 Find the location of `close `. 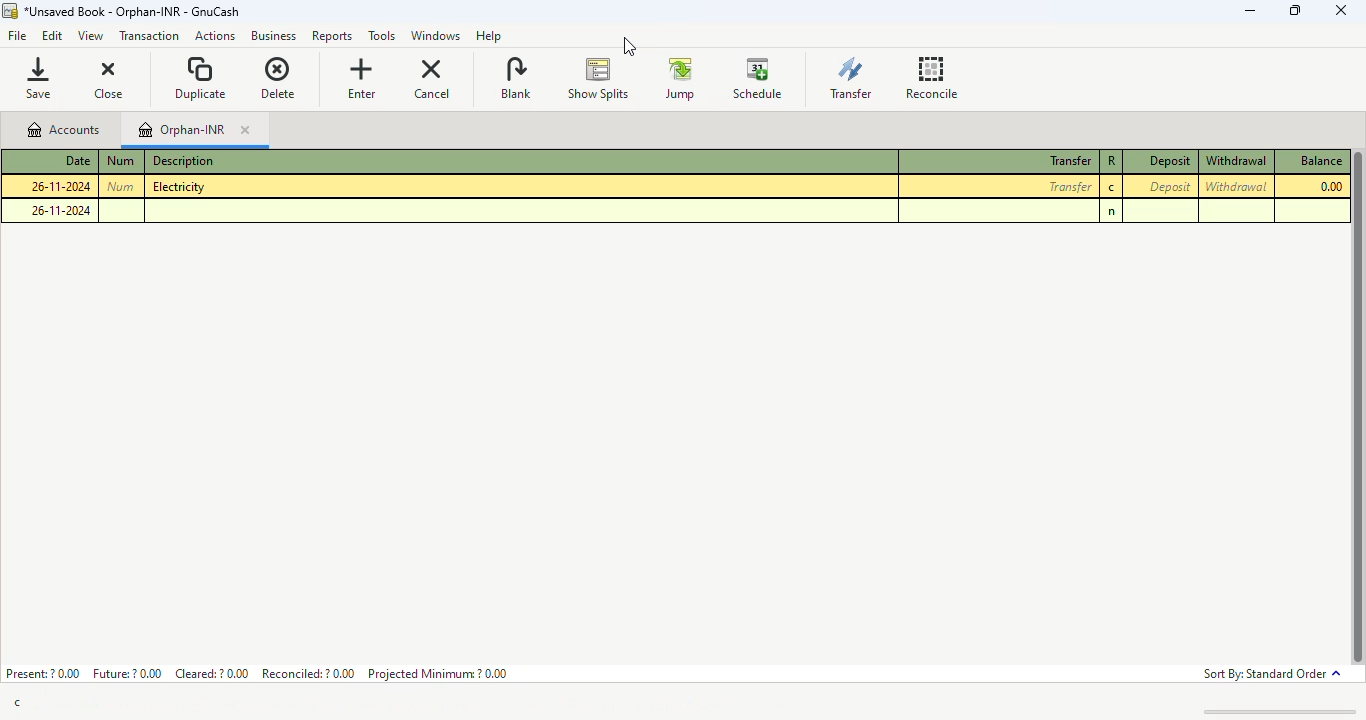

close  is located at coordinates (244, 131).